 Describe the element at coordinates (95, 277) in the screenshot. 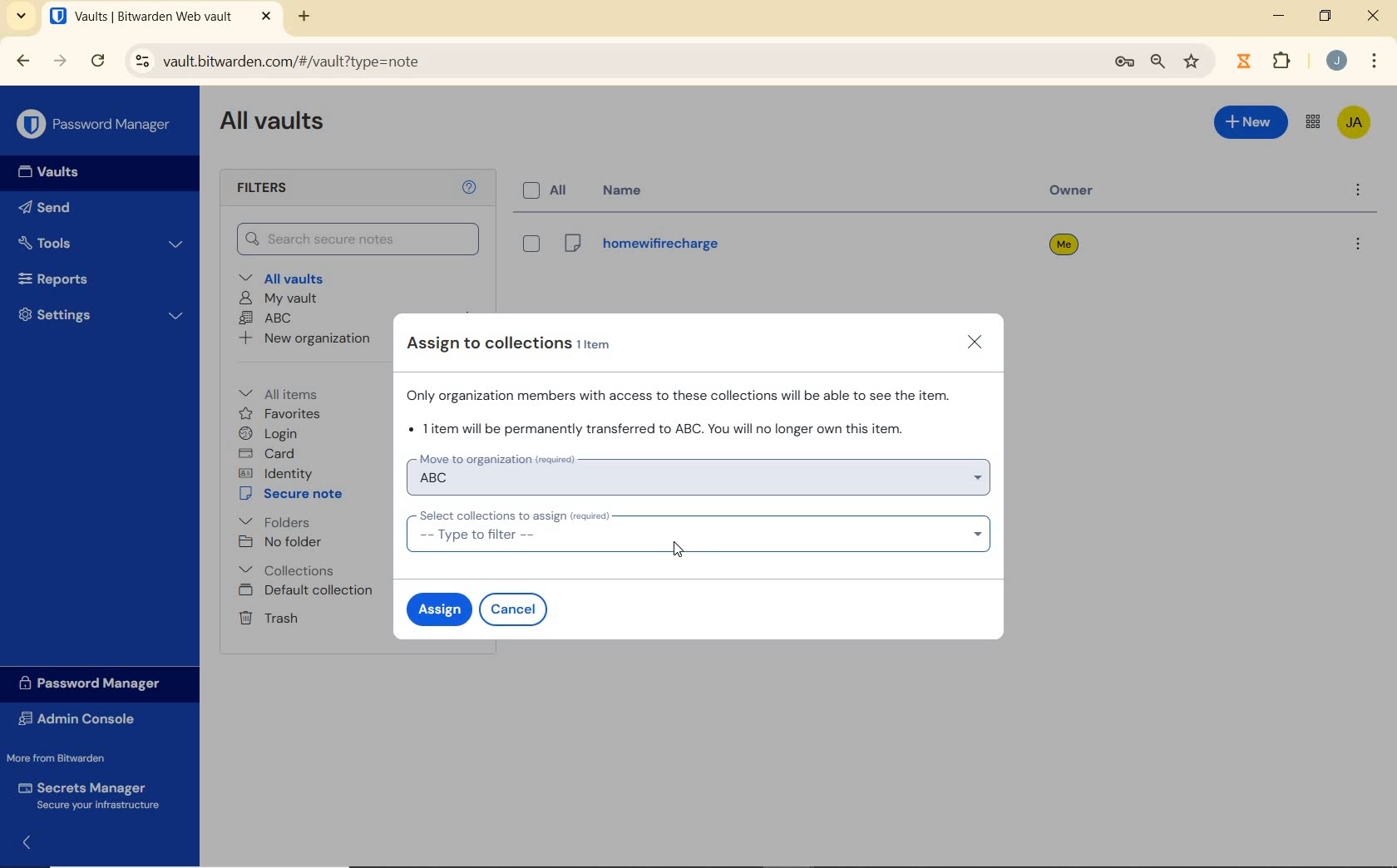

I see `Reports` at that location.